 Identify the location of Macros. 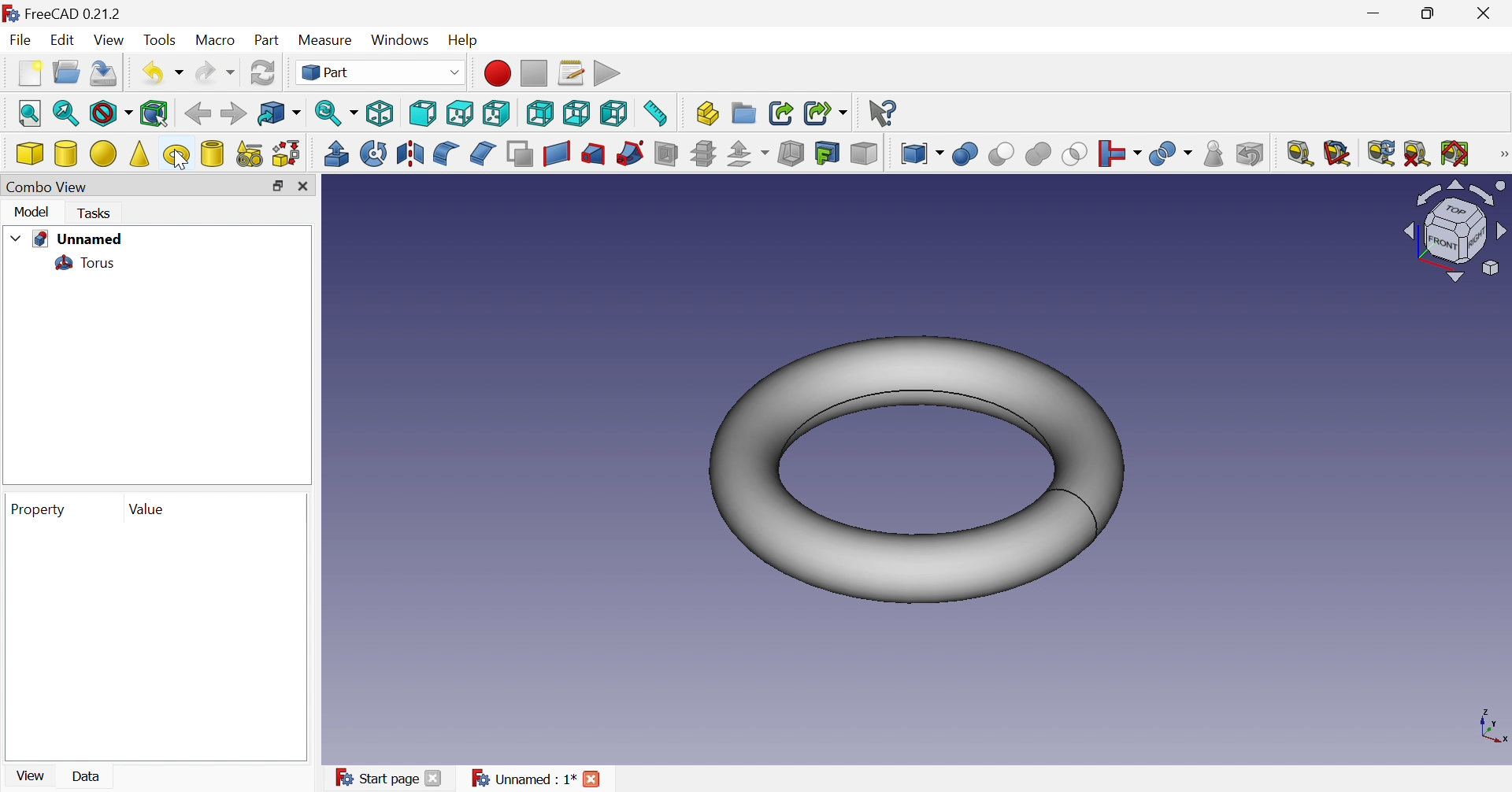
(573, 73).